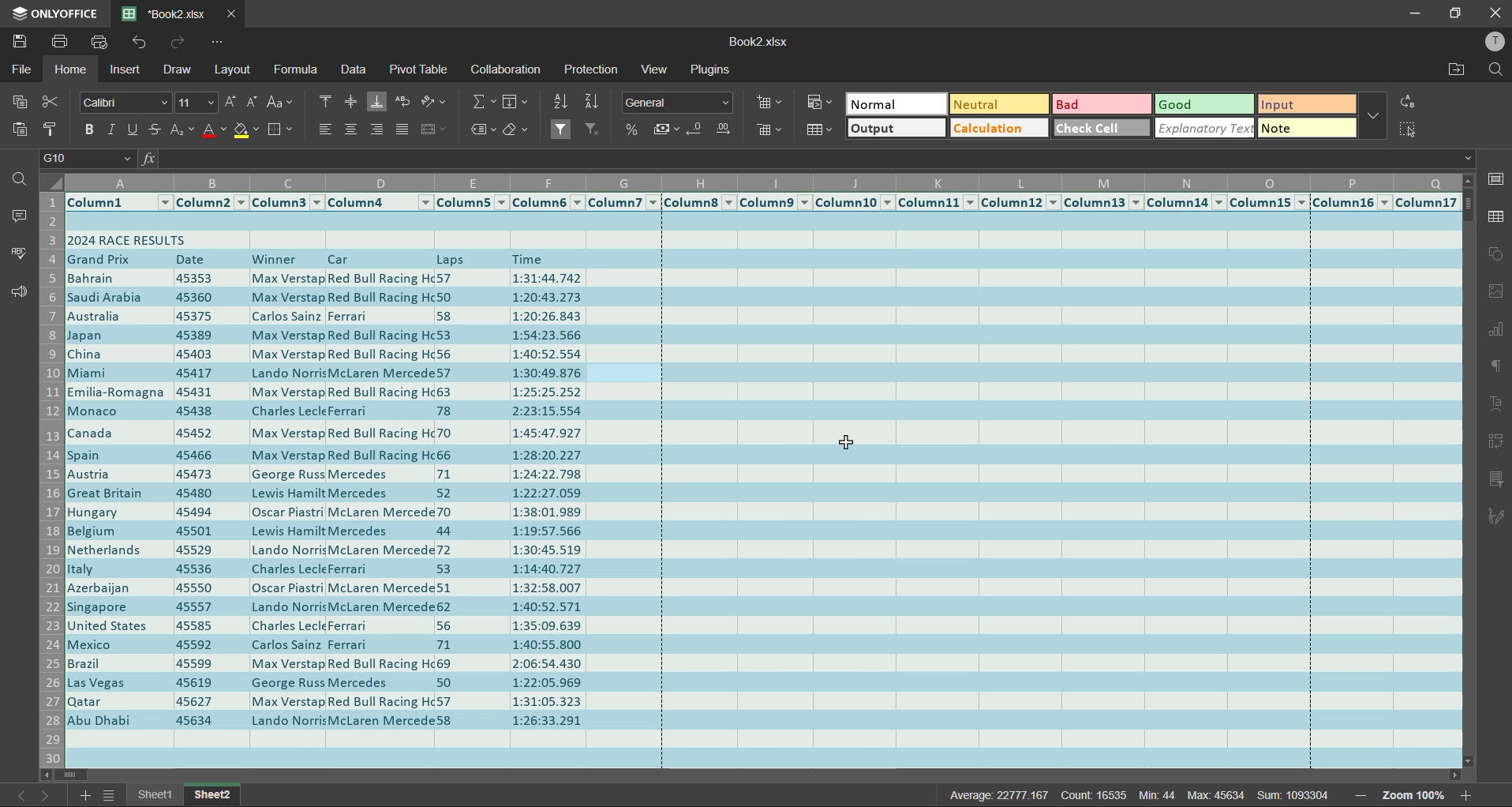 The image size is (1512, 807). I want to click on zoom factor, so click(1414, 797).